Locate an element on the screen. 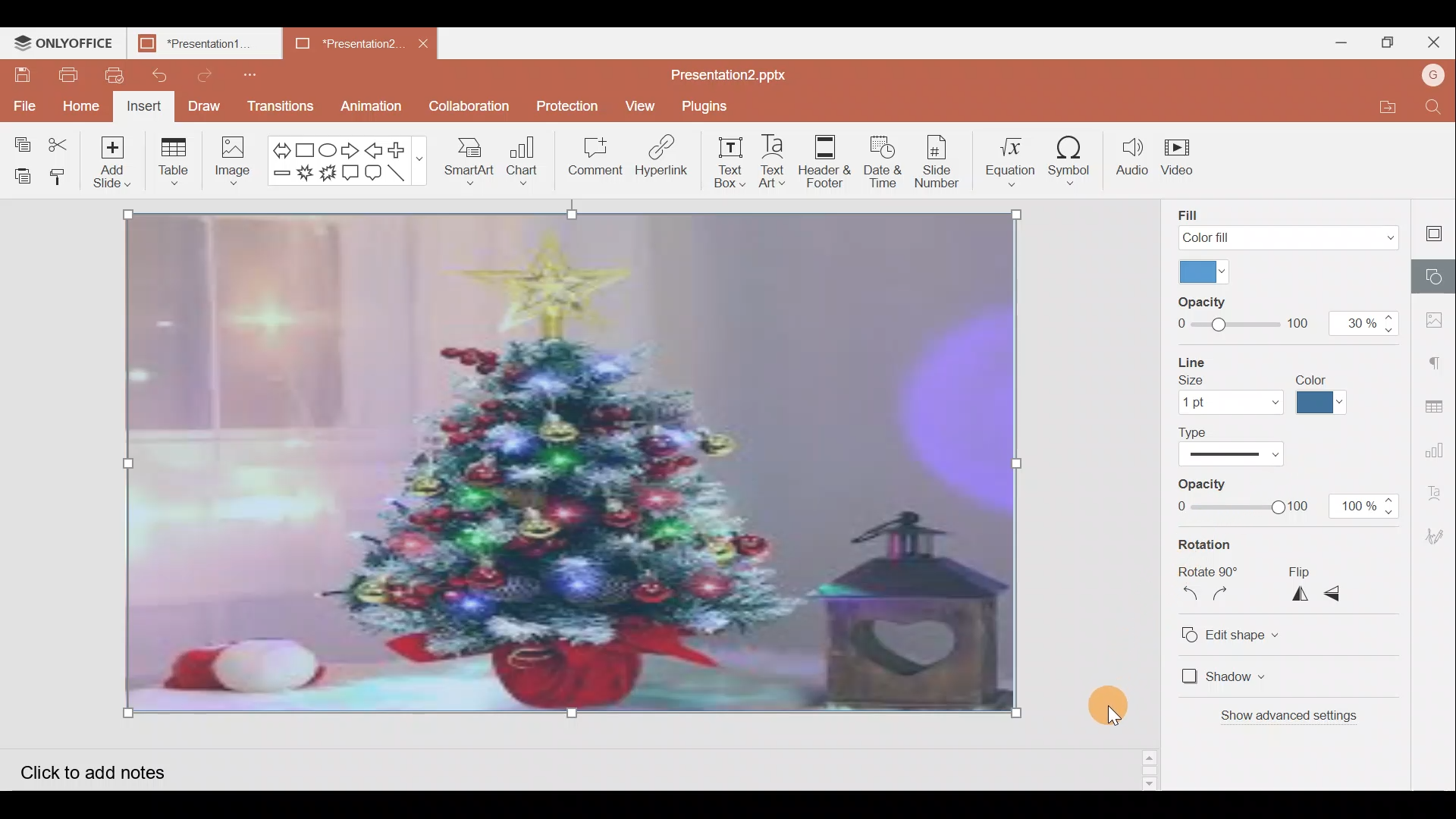 This screenshot has height=819, width=1456. Fill Opacity slide bar is located at coordinates (1241, 315).